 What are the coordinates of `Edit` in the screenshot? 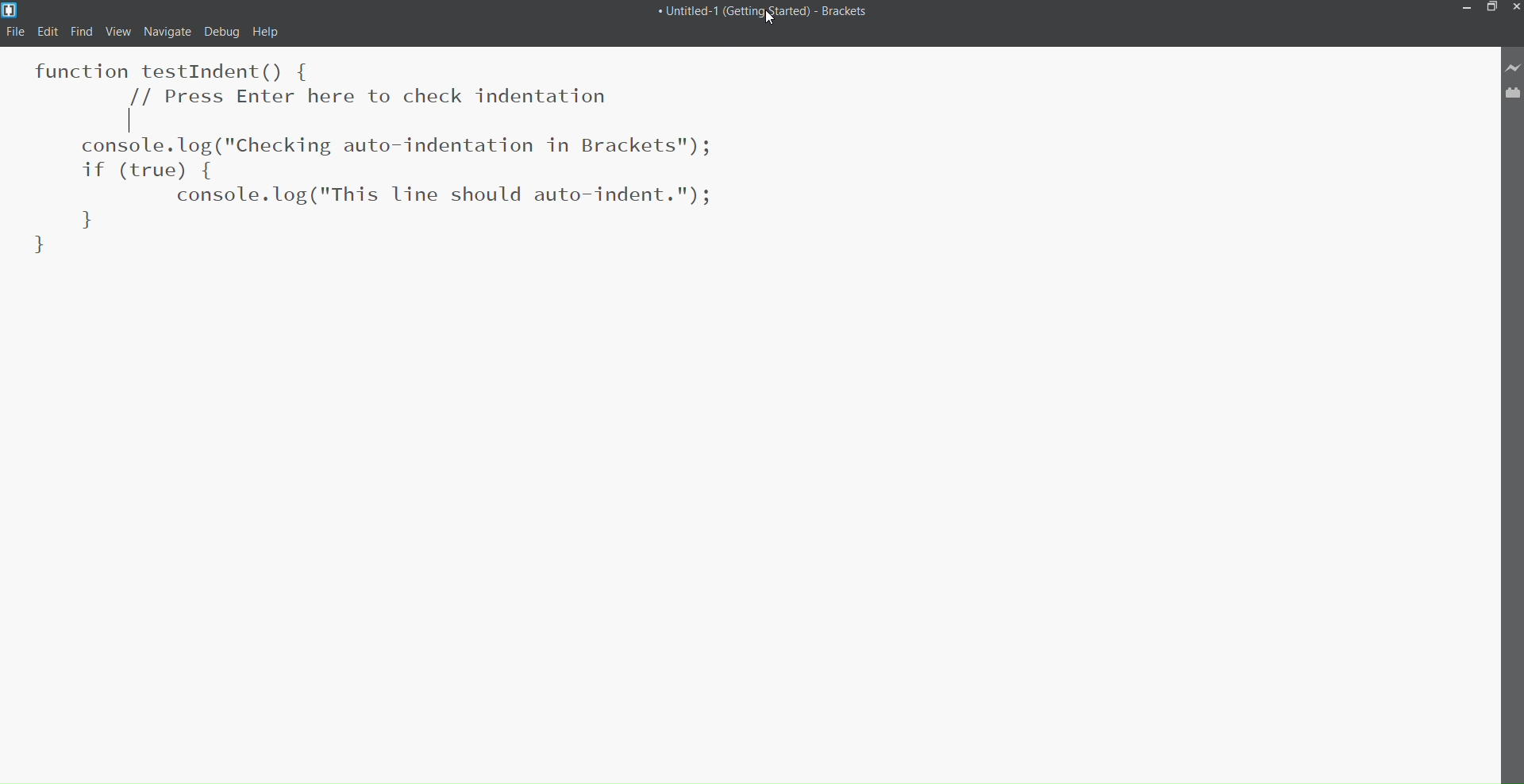 It's located at (49, 30).